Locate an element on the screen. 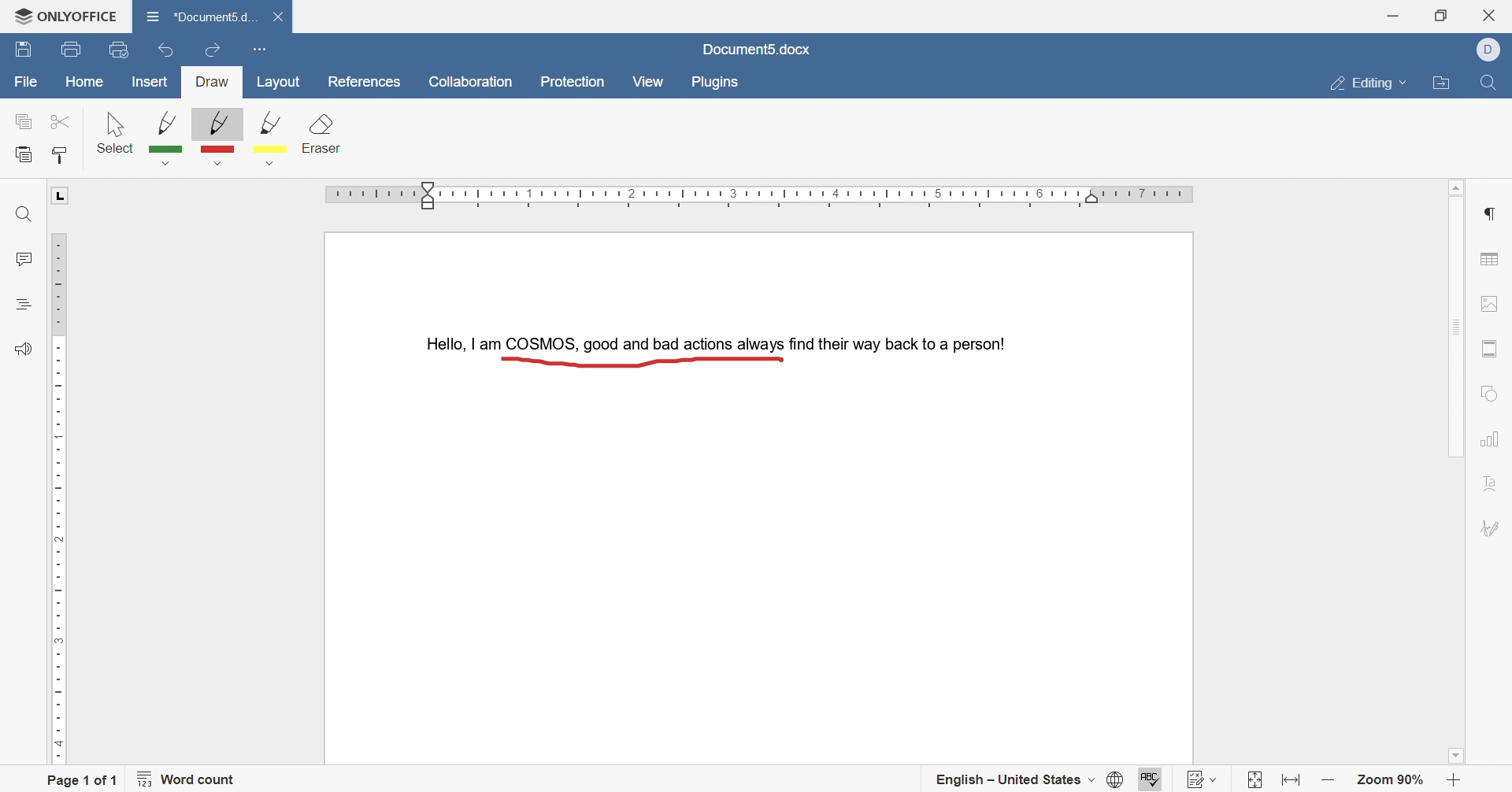 The width and height of the screenshot is (1512, 792). yellow pen is located at coordinates (276, 141).